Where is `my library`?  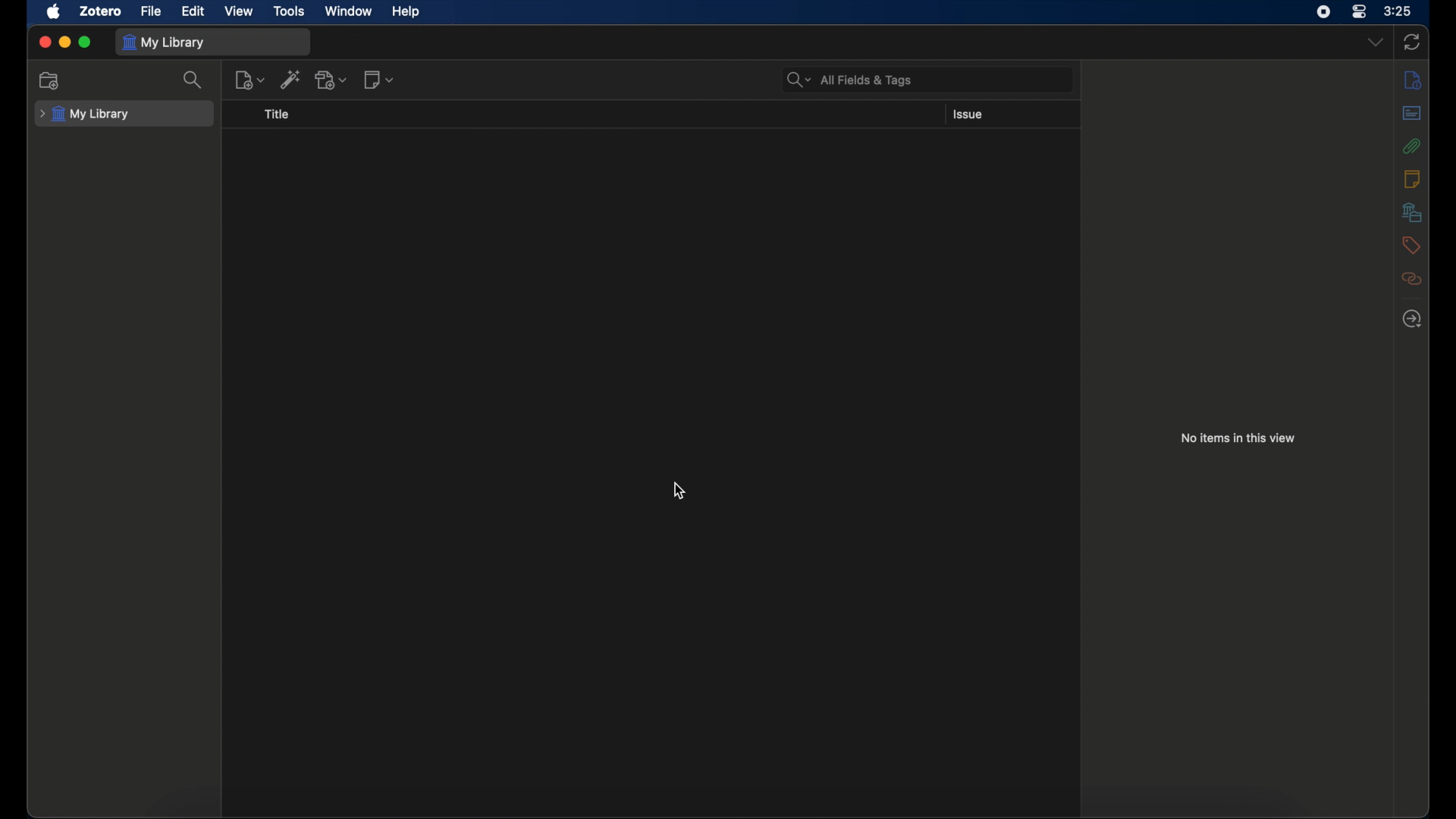 my library is located at coordinates (85, 115).